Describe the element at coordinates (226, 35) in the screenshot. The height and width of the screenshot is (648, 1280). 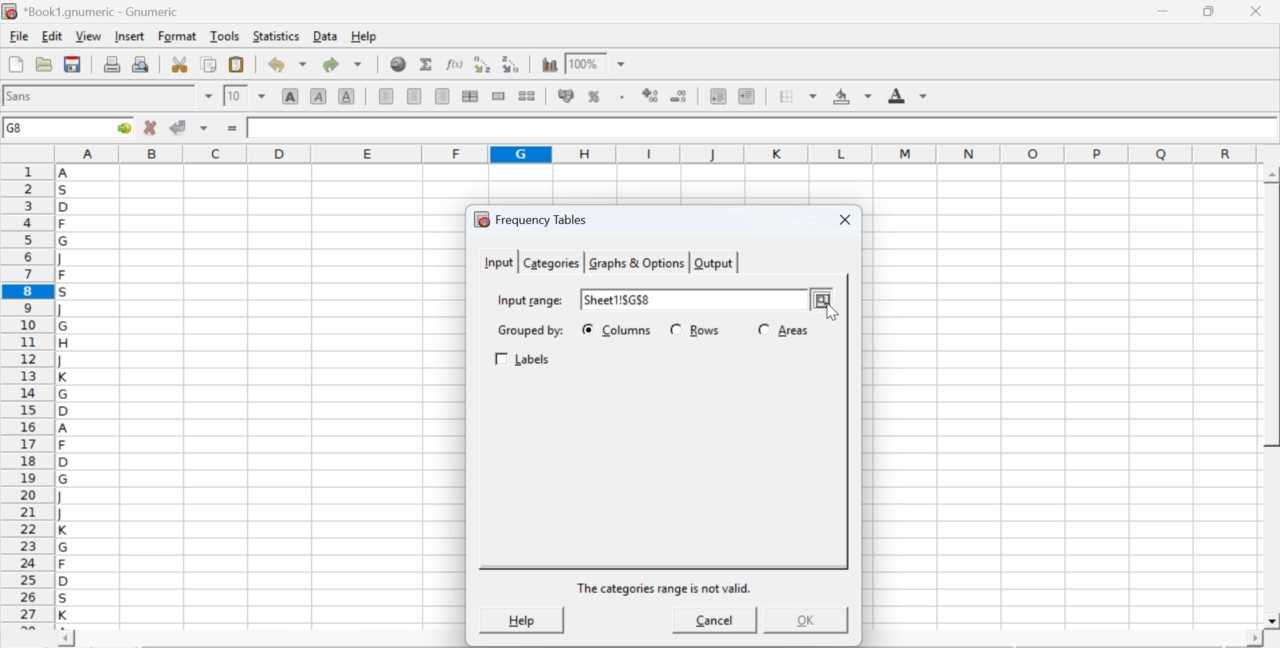
I see `tools` at that location.